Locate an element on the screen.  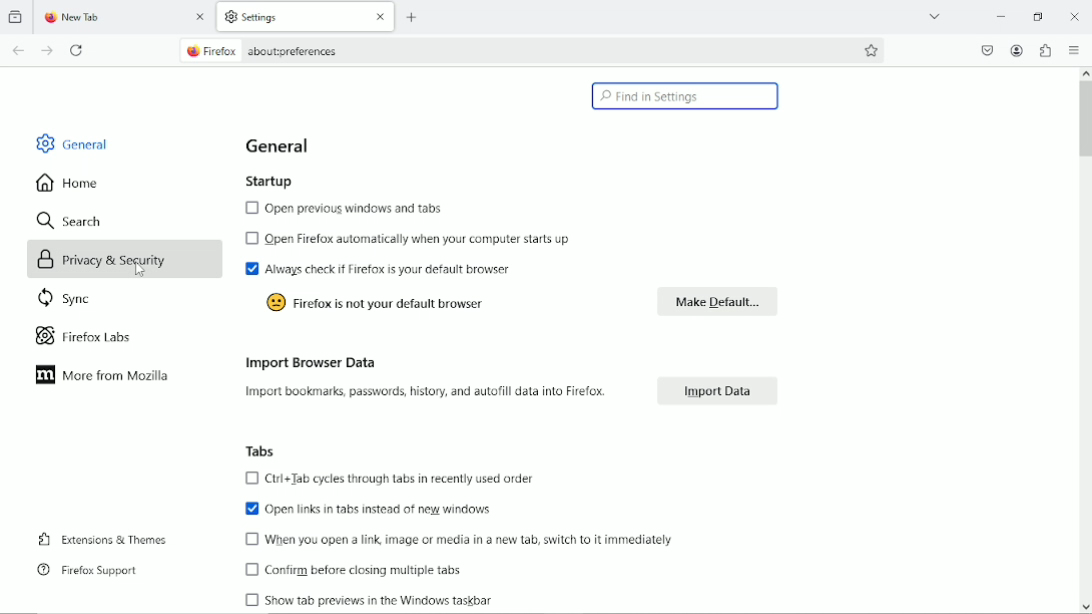
firefox logo is located at coordinates (191, 52).